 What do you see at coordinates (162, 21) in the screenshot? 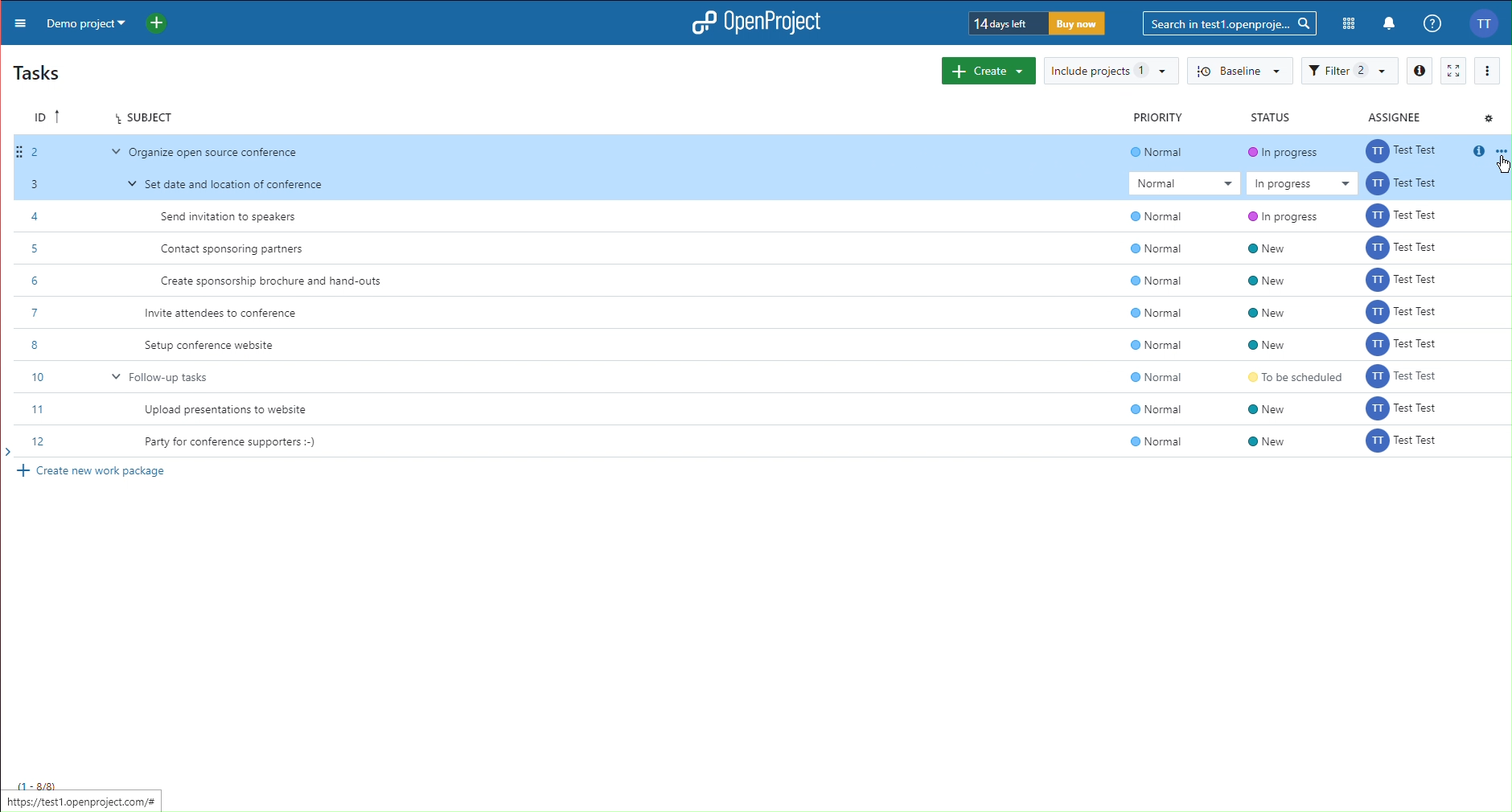
I see `New Project` at bounding box center [162, 21].